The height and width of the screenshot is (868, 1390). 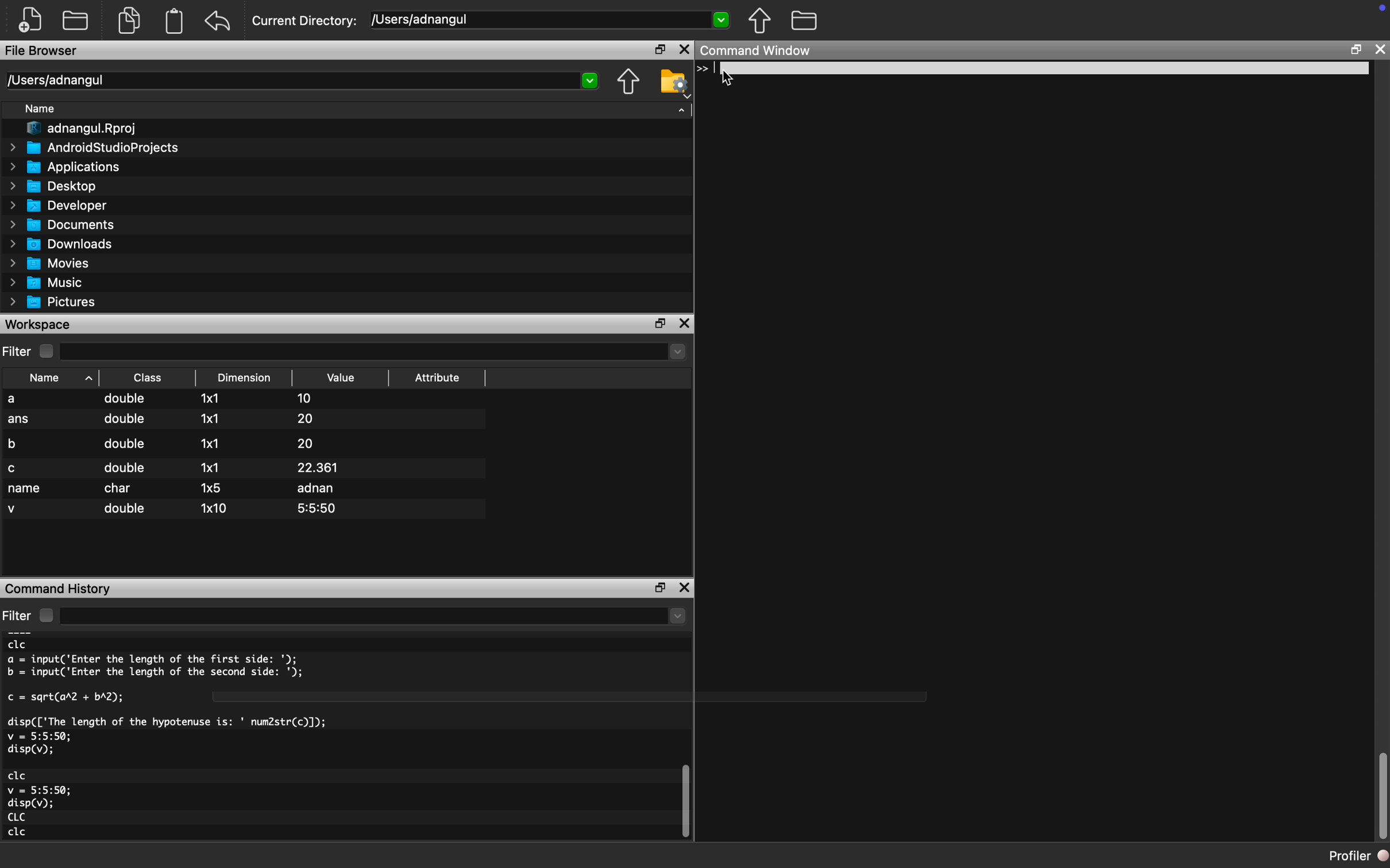 What do you see at coordinates (673, 83) in the screenshot?
I see `Browse your files` at bounding box center [673, 83].